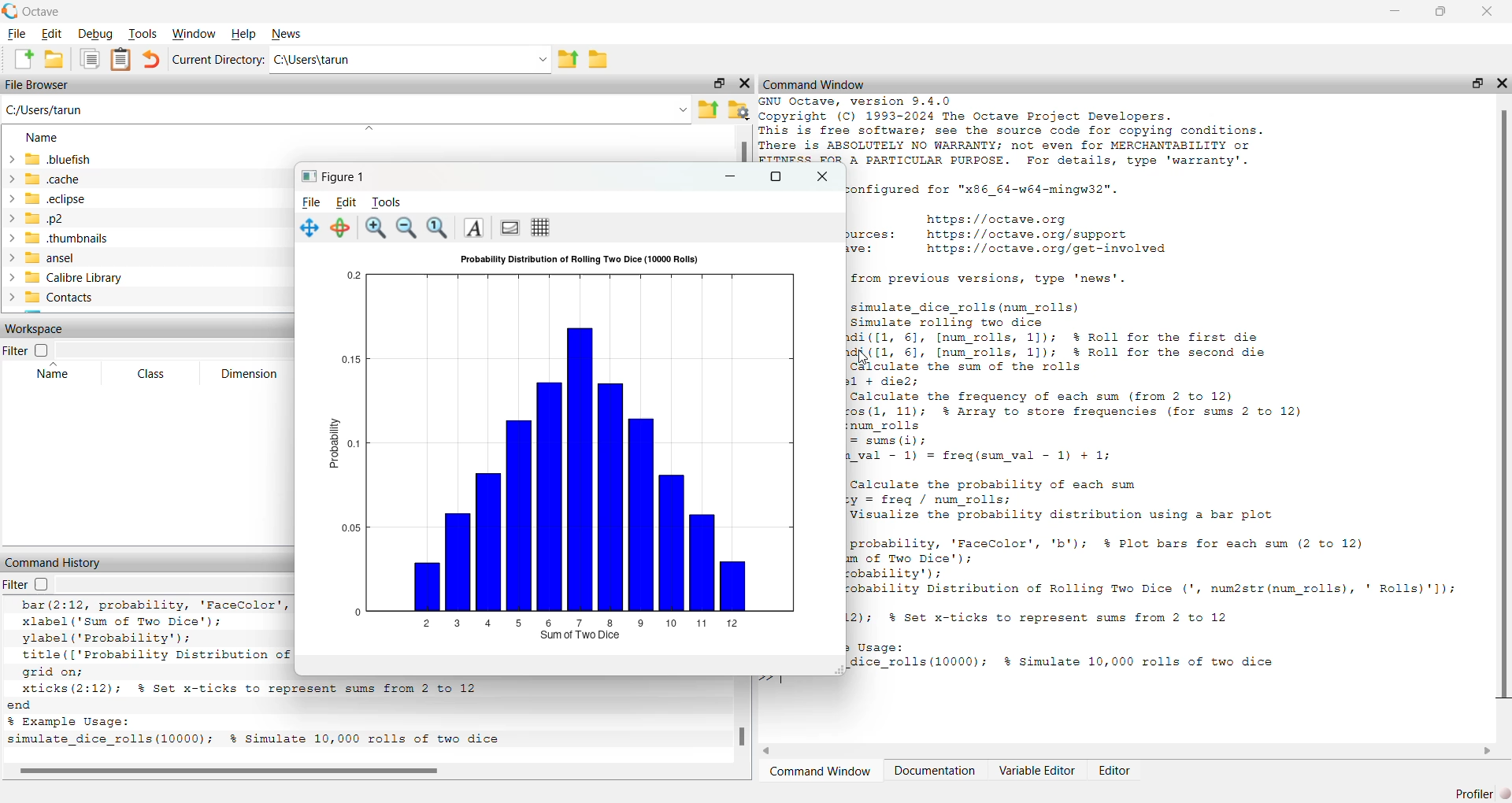 This screenshot has width=1512, height=803. Describe the element at coordinates (354, 59) in the screenshot. I see `Ci\Users\tarun` at that location.